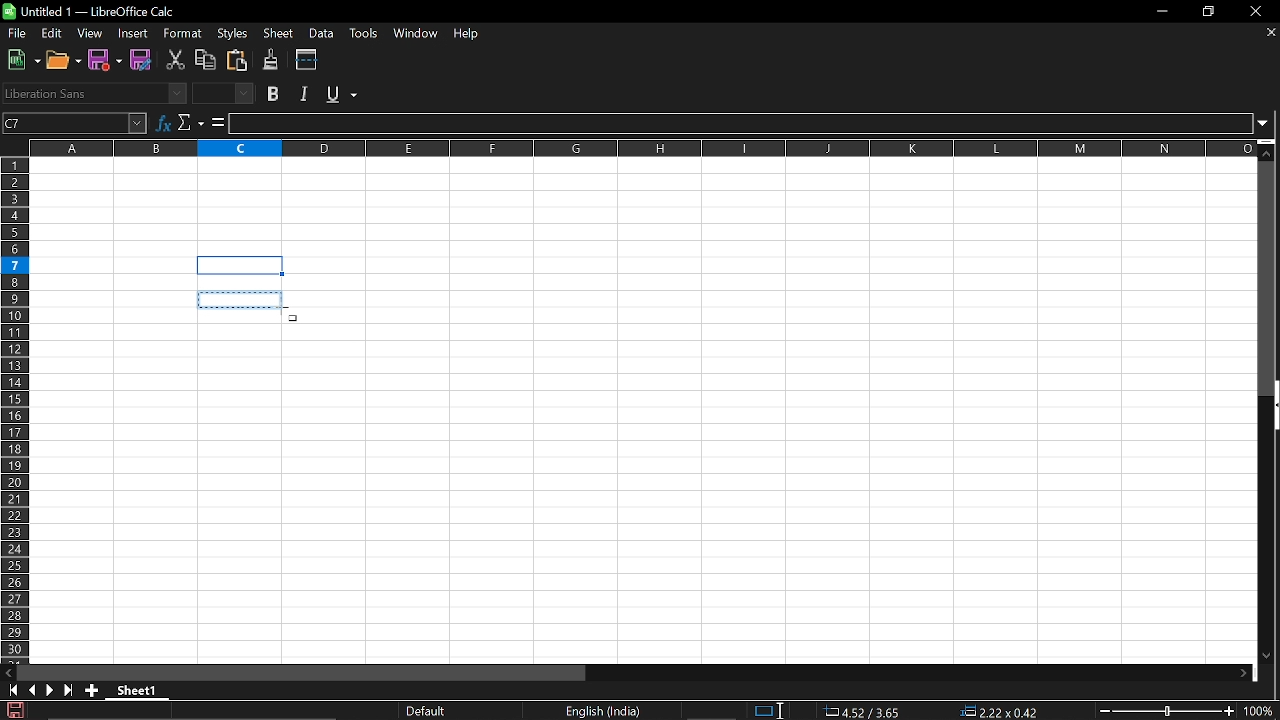 This screenshot has width=1280, height=720. What do you see at coordinates (302, 672) in the screenshot?
I see `Horizontal scrollbar` at bounding box center [302, 672].